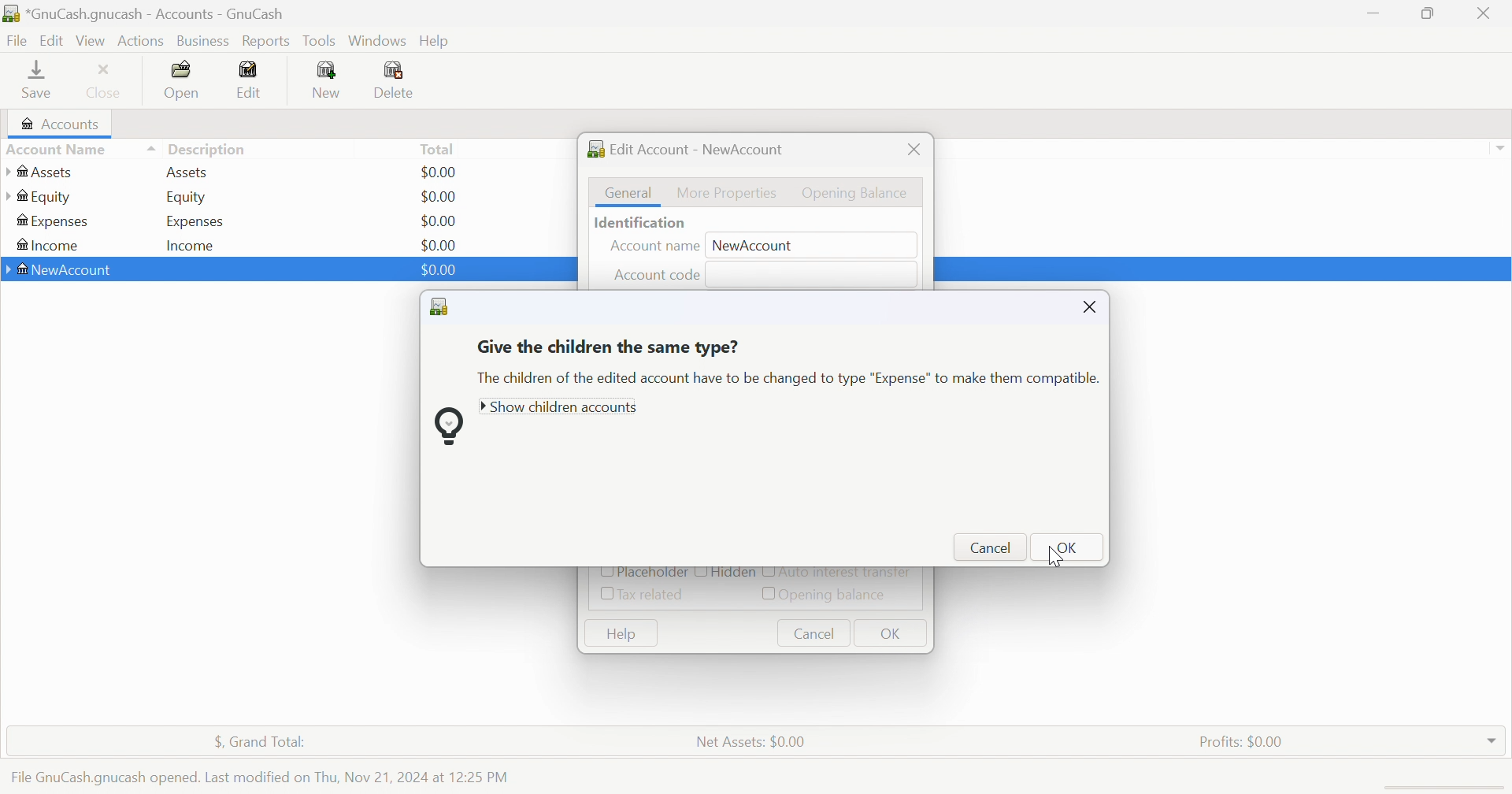  I want to click on Total, so click(439, 148).